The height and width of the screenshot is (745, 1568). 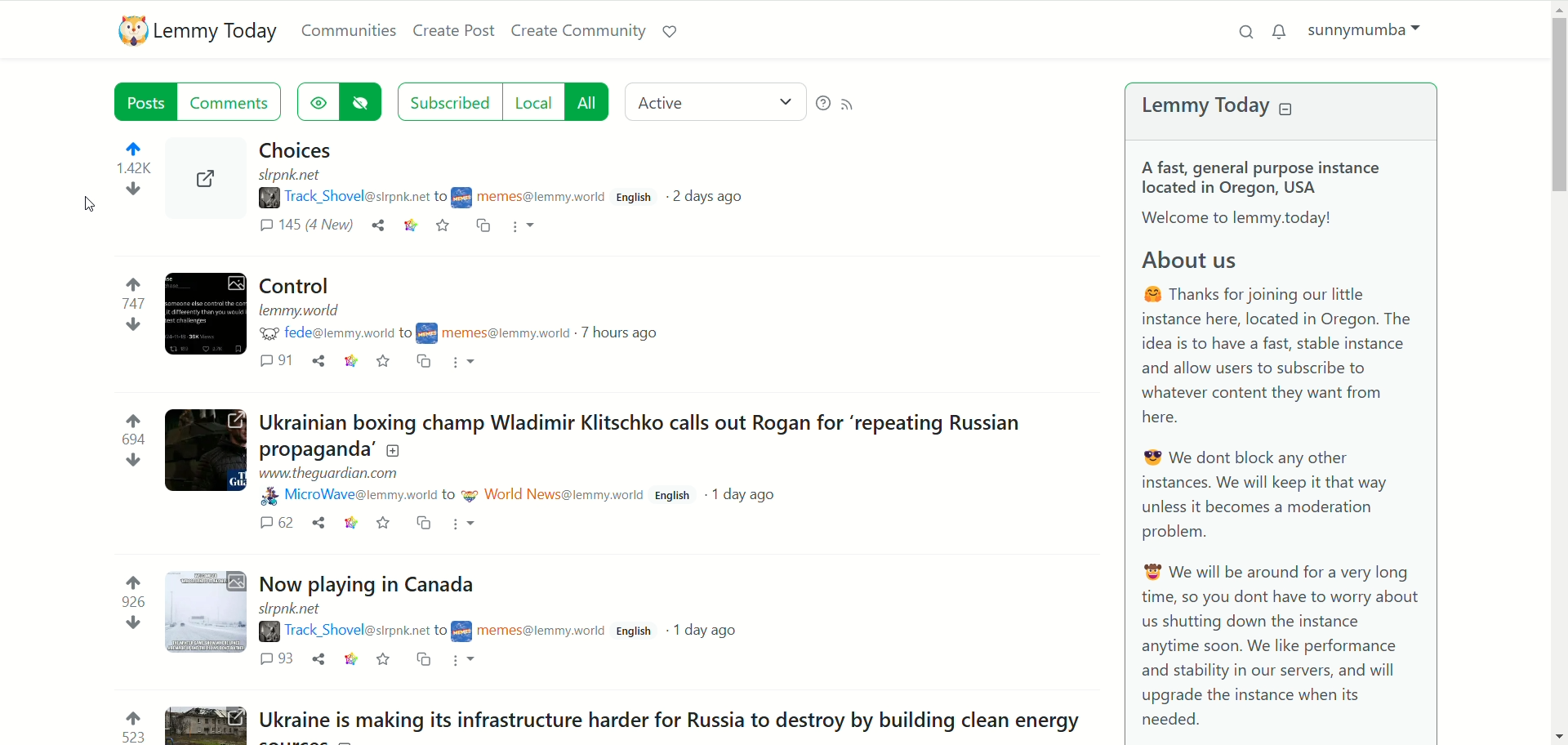 What do you see at coordinates (630, 332) in the screenshot?
I see `7 hours ago` at bounding box center [630, 332].